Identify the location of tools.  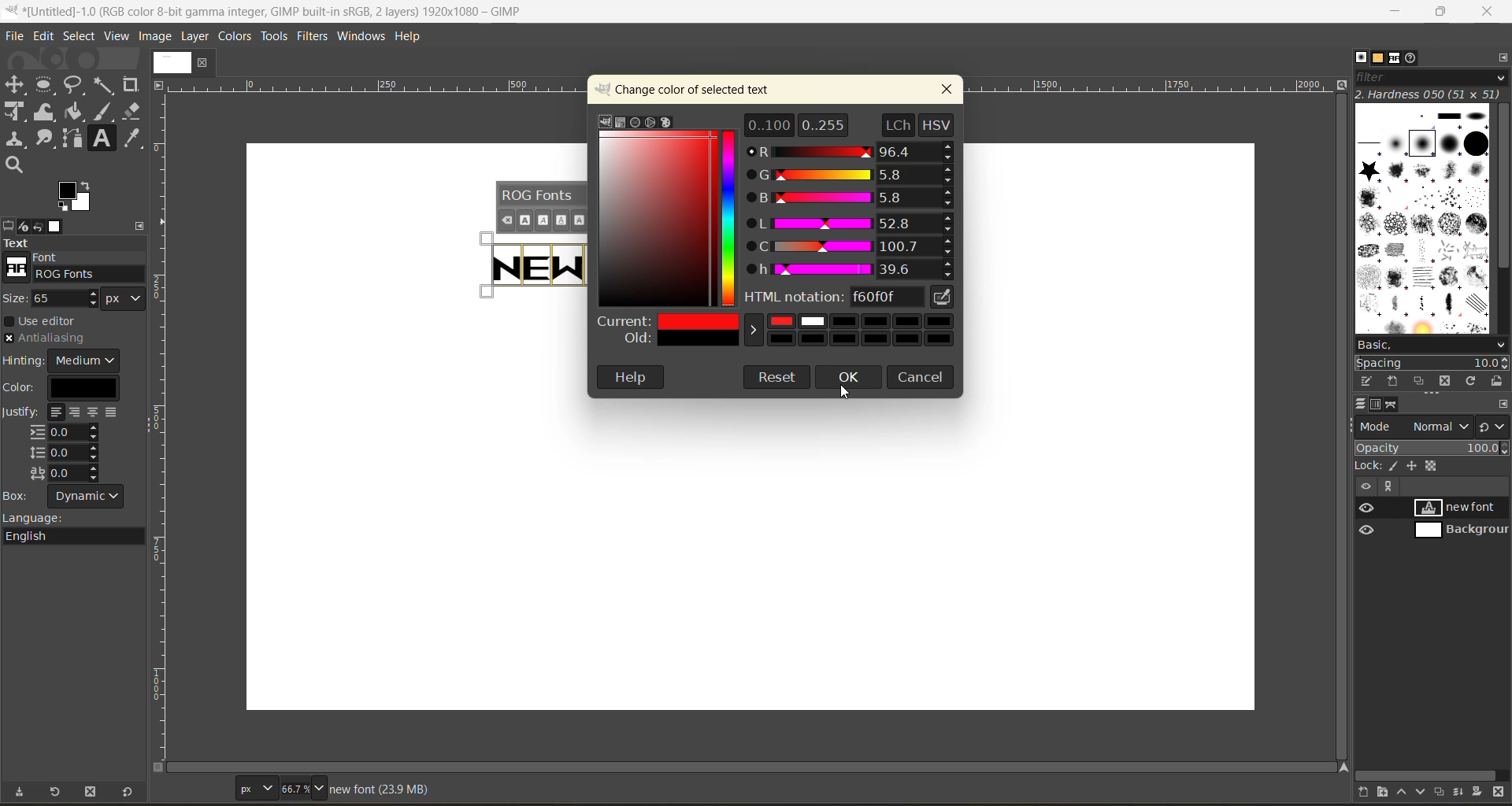
(75, 126).